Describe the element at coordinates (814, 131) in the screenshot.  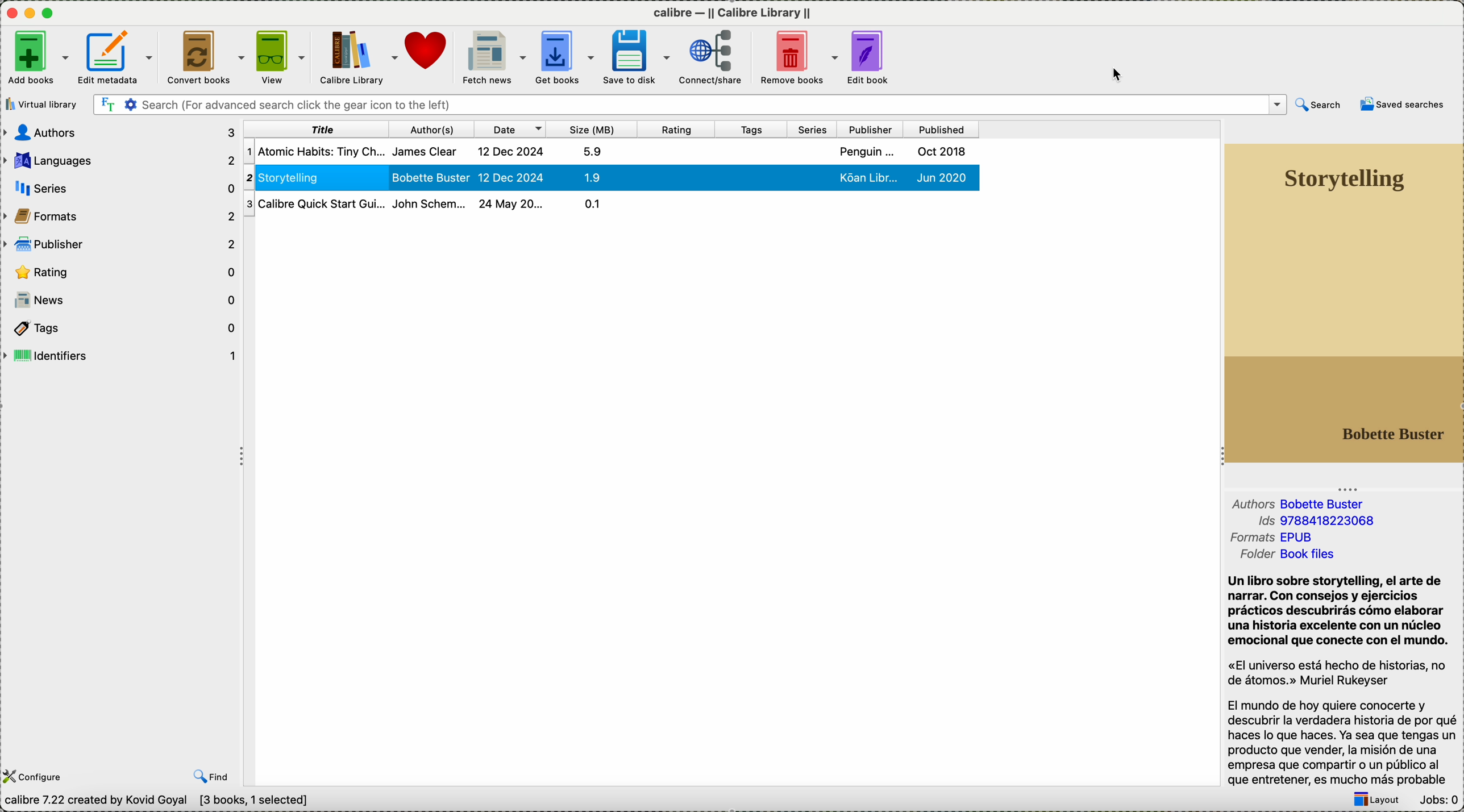
I see `series` at that location.